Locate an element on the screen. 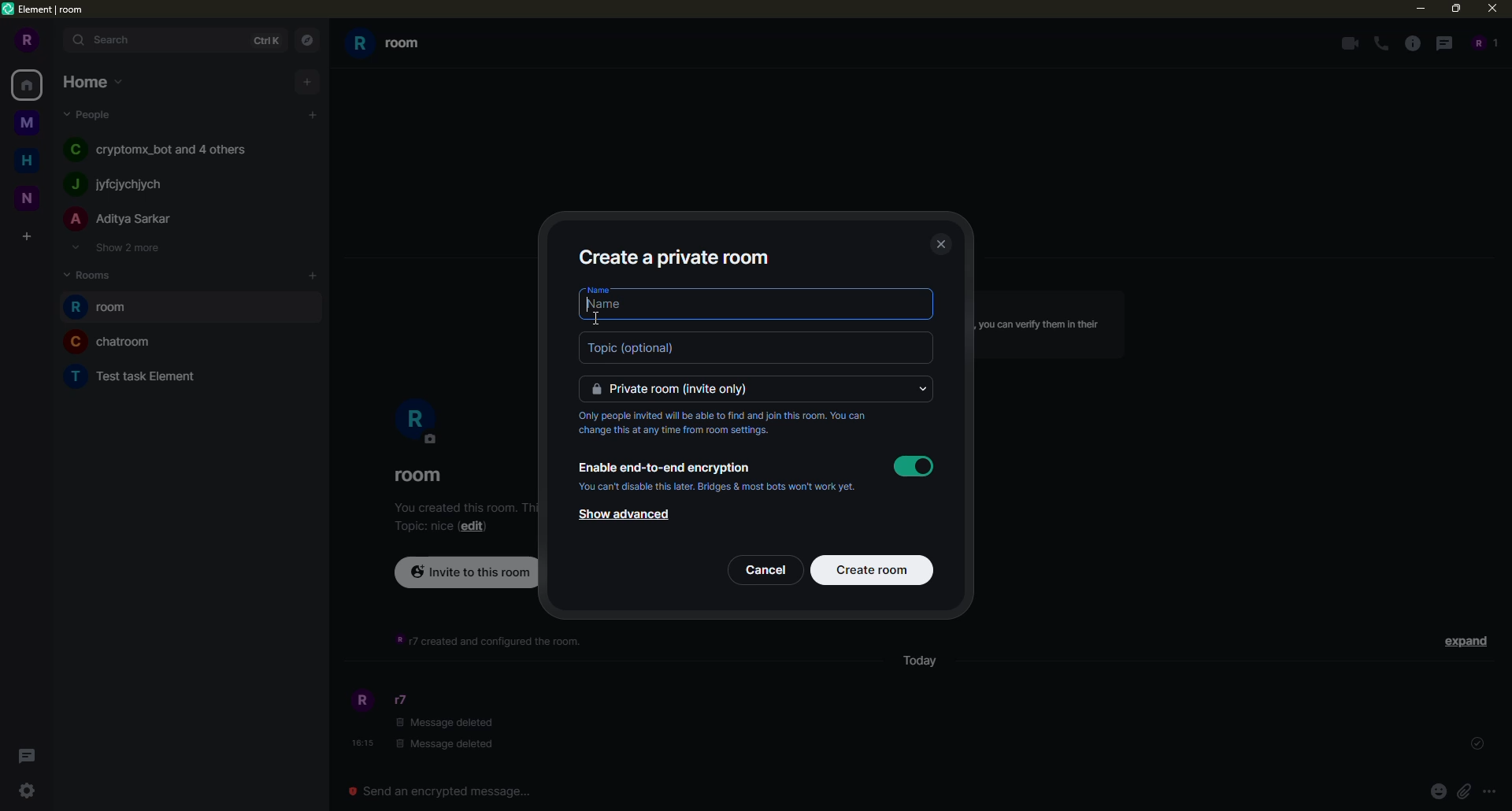 The width and height of the screenshot is (1512, 811). set is located at coordinates (1474, 744).